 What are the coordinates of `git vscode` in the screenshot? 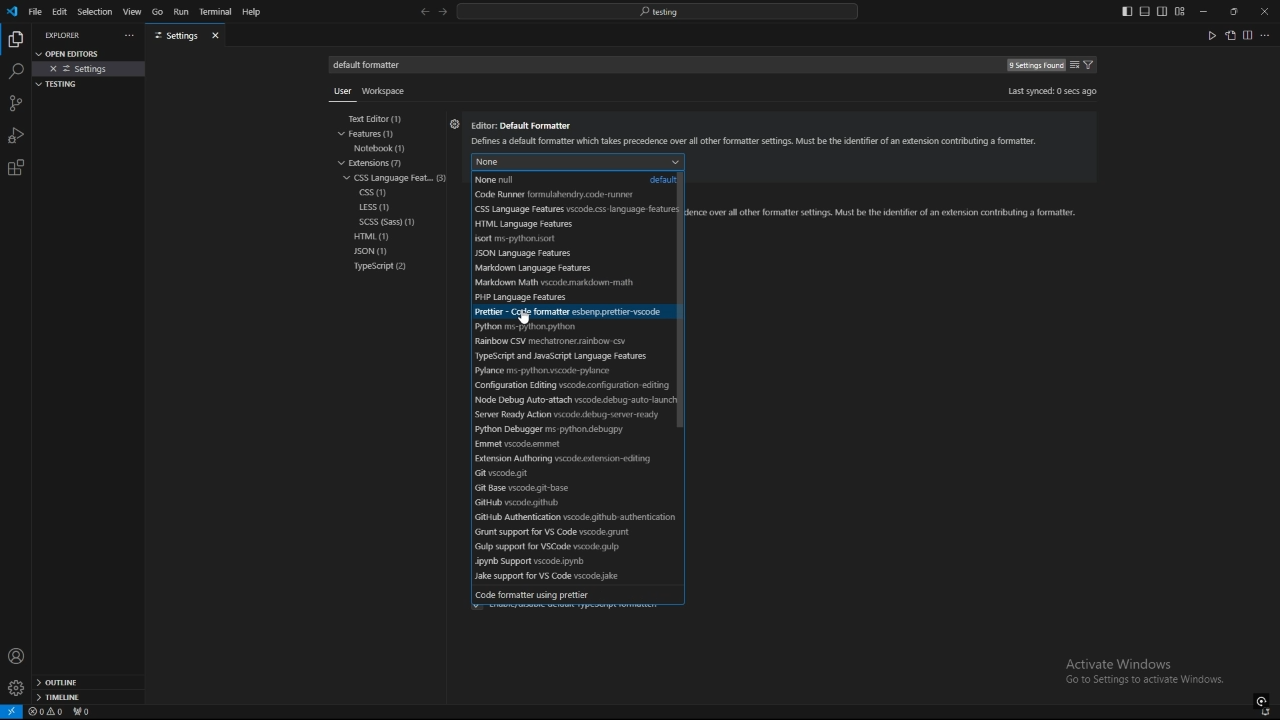 It's located at (564, 473).